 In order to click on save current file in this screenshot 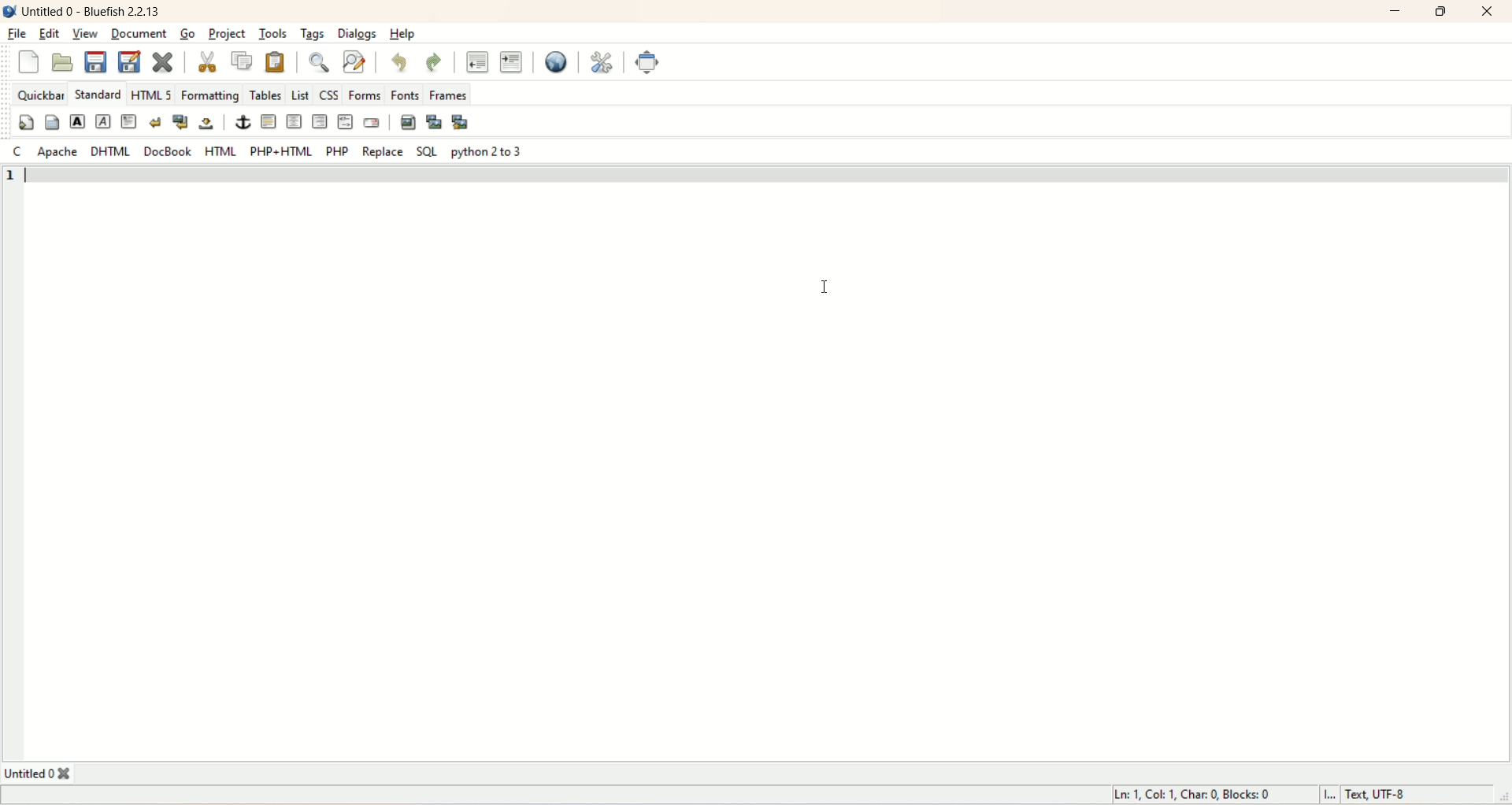, I will do `click(95, 62)`.